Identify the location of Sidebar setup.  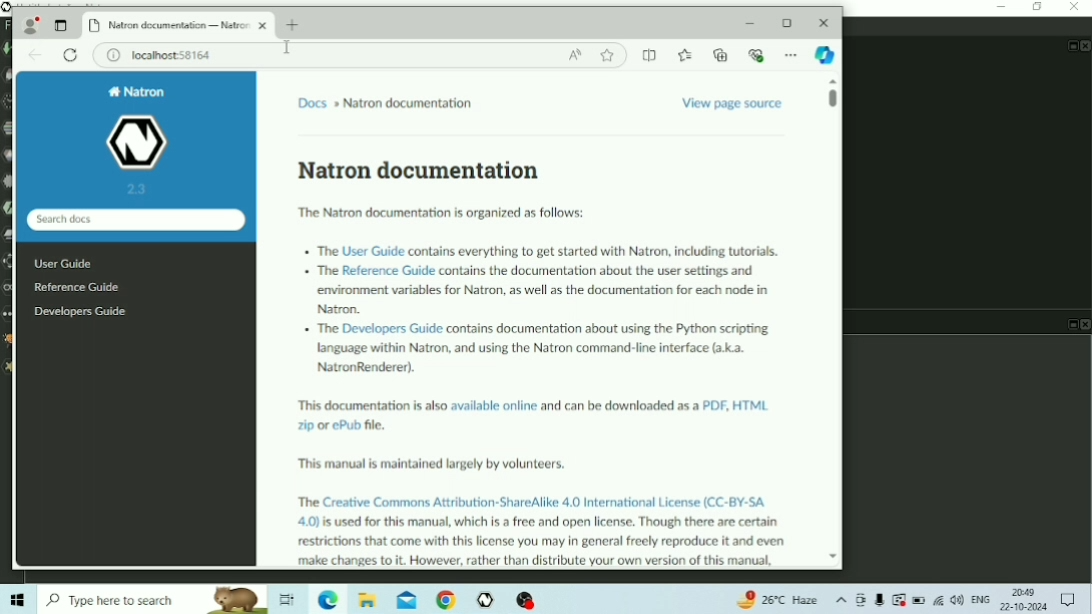
(791, 54).